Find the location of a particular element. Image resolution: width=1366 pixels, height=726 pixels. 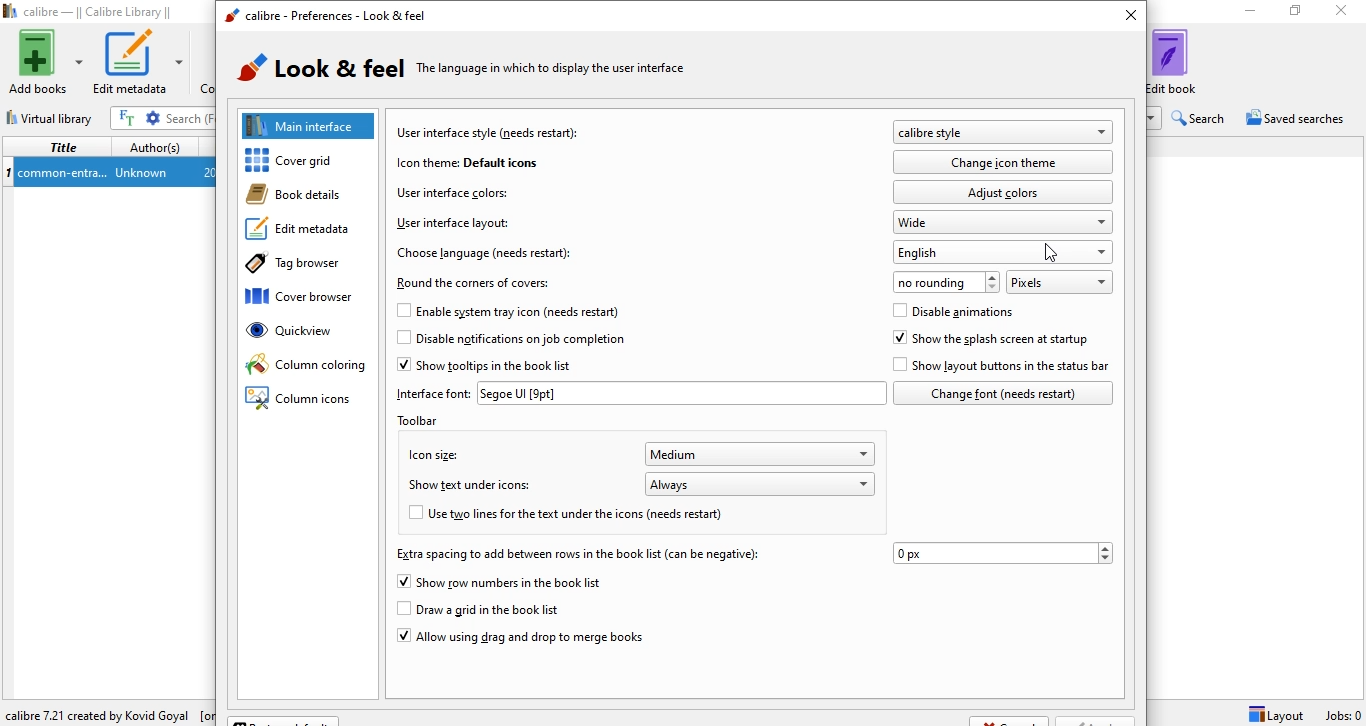

user interface colors is located at coordinates (452, 191).